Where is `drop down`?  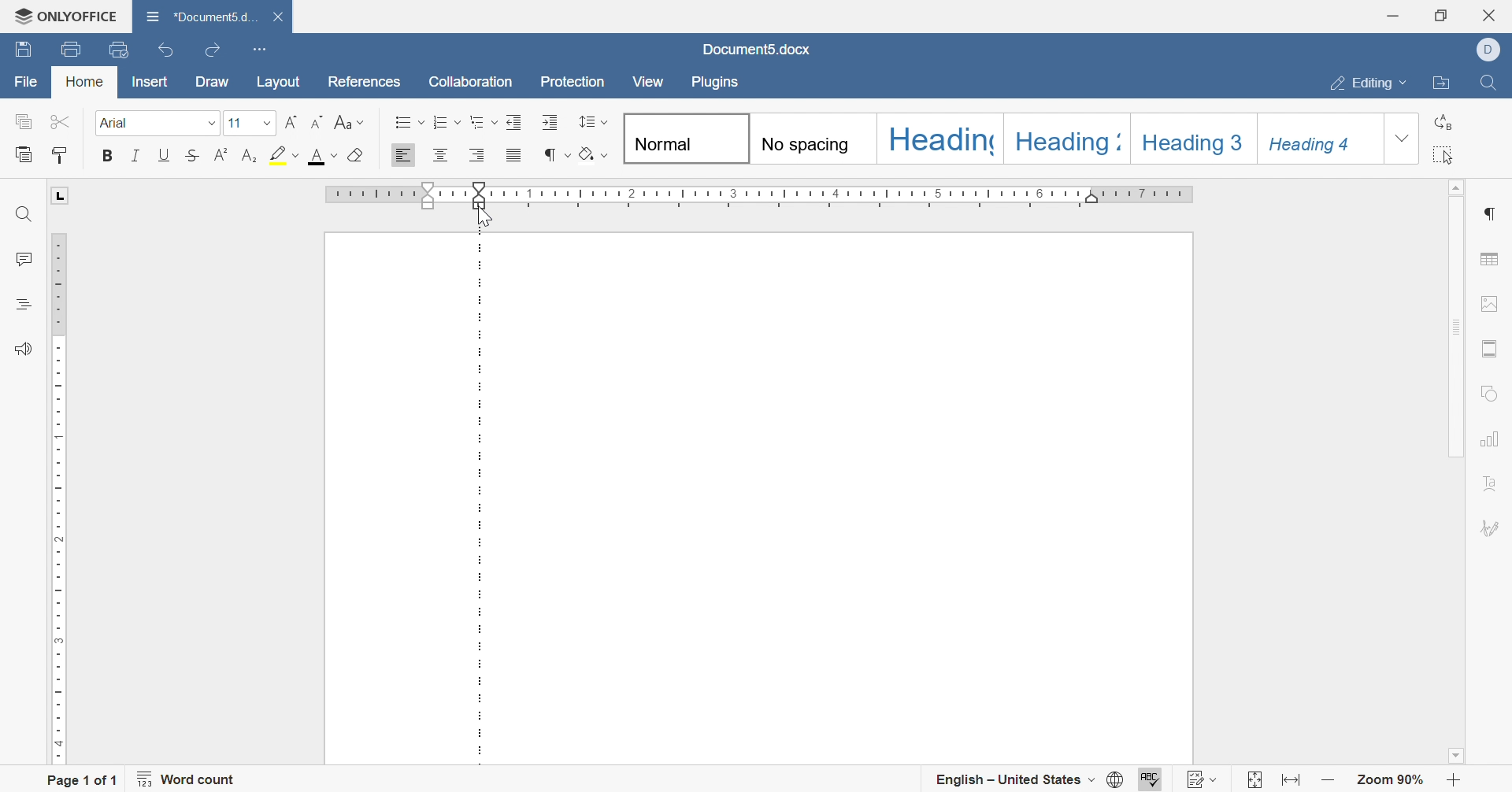 drop down is located at coordinates (210, 124).